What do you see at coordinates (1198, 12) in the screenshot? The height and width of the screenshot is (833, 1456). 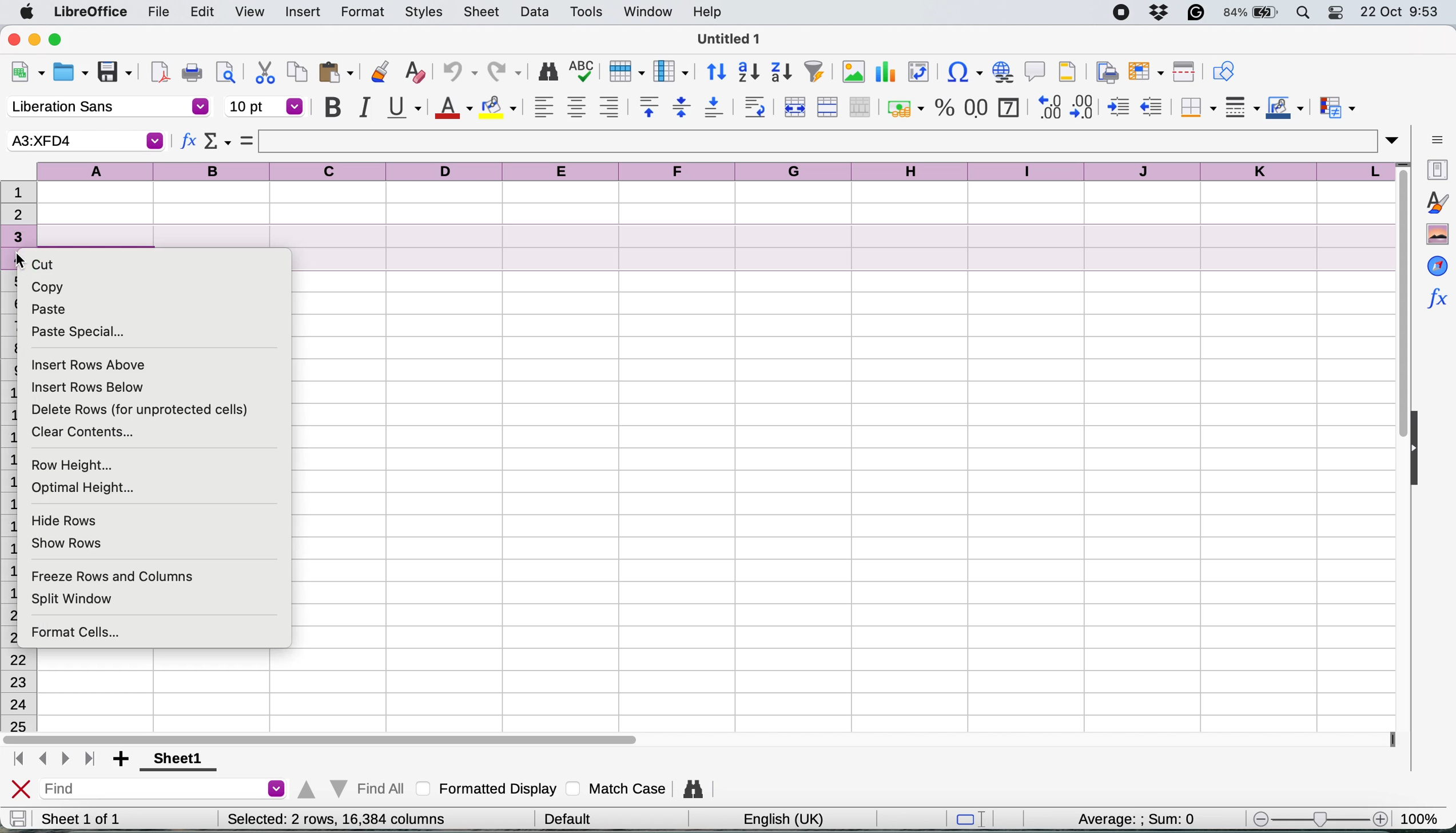 I see `grammarly` at bounding box center [1198, 12].